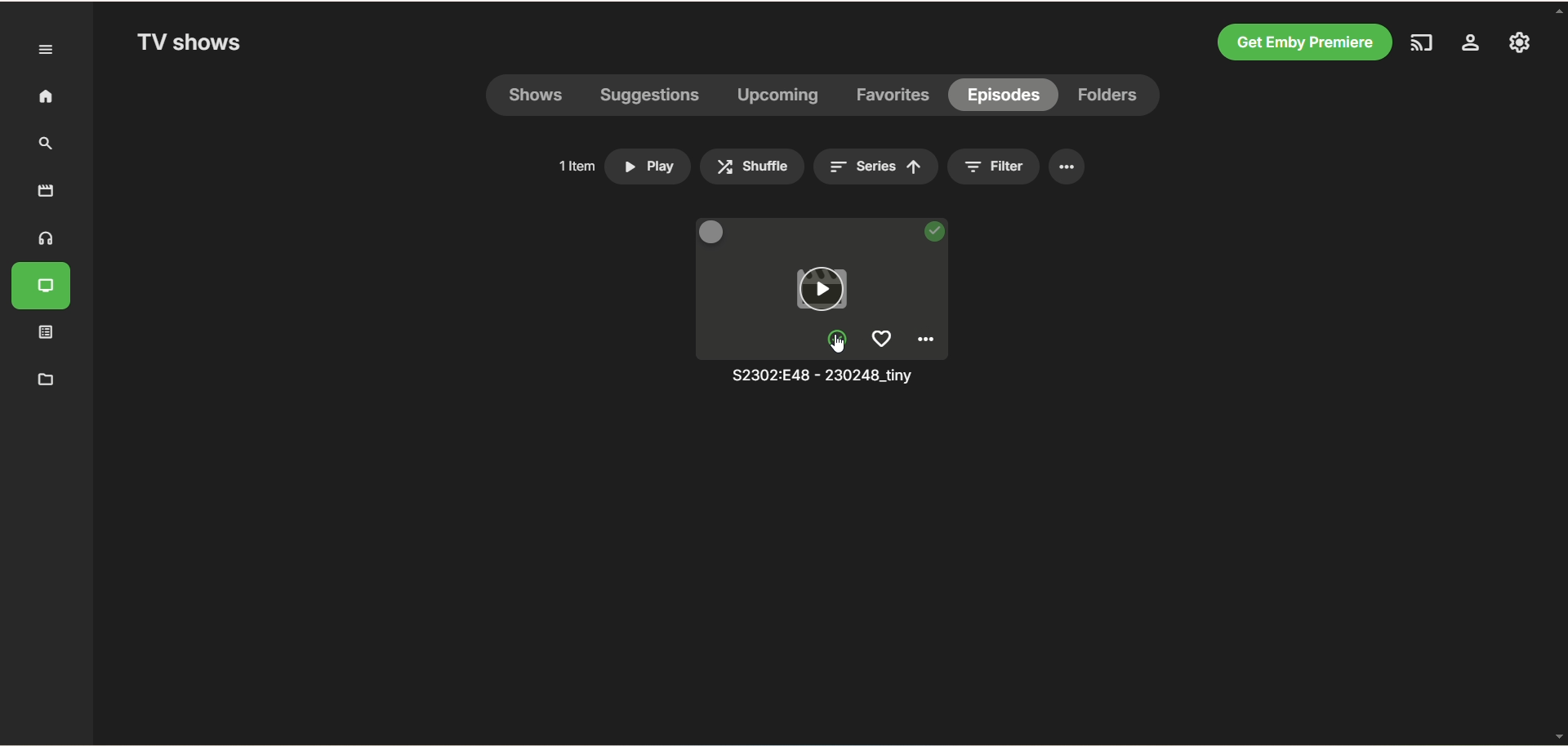 The width and height of the screenshot is (1568, 746). What do you see at coordinates (713, 234) in the screenshot?
I see `multi select` at bounding box center [713, 234].